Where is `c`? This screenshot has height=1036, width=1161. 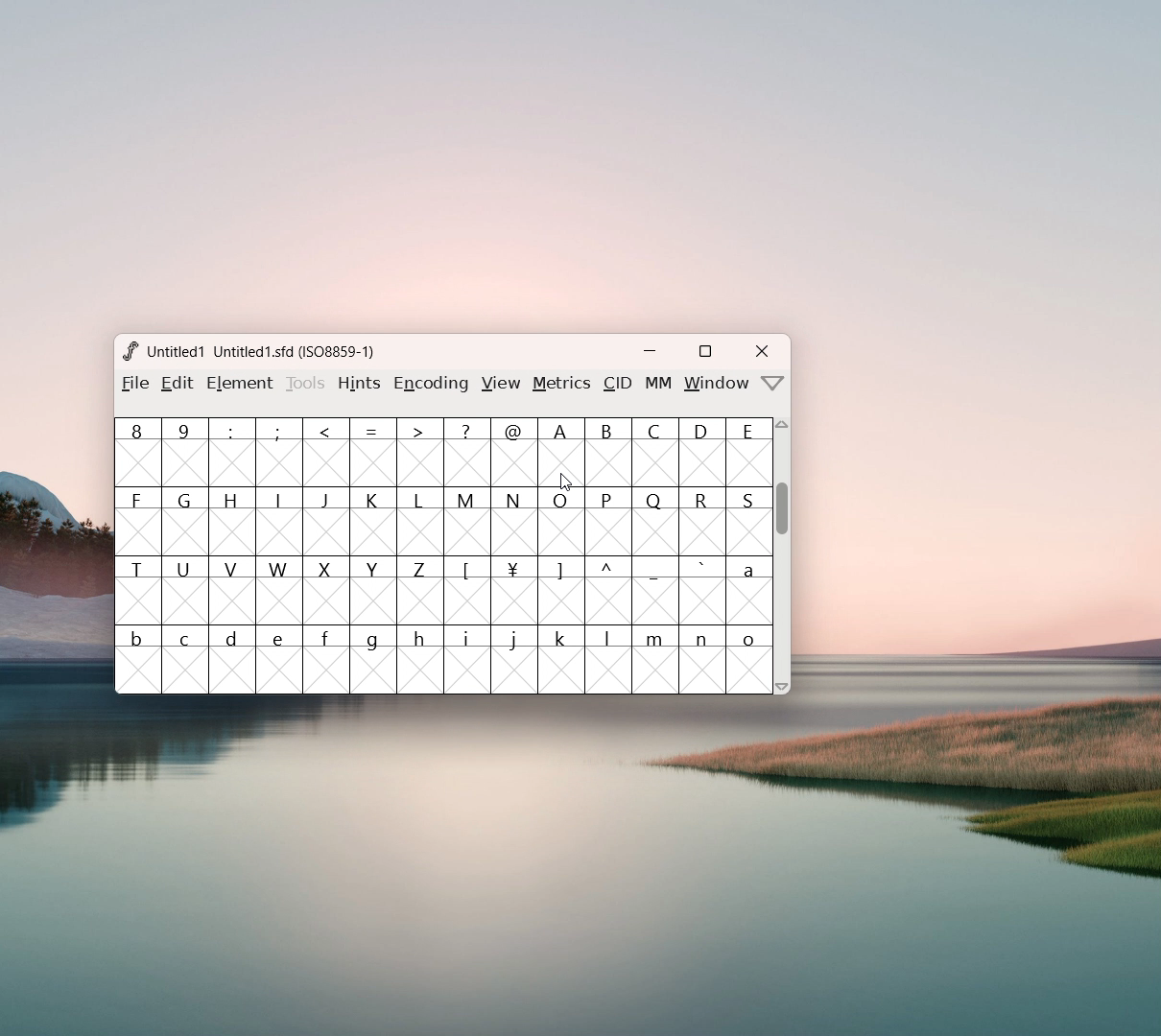
c is located at coordinates (185, 659).